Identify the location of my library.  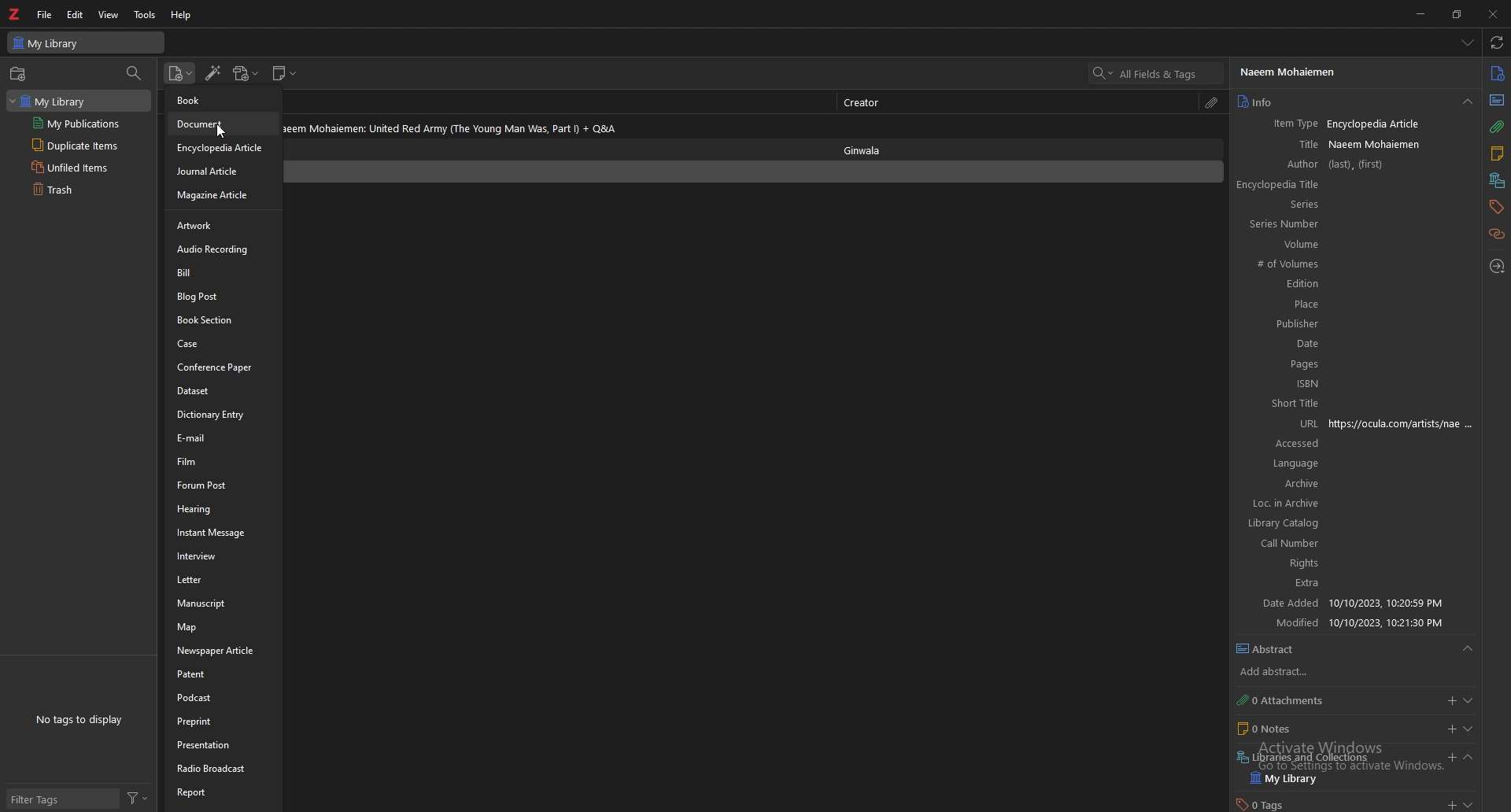
(1348, 778).